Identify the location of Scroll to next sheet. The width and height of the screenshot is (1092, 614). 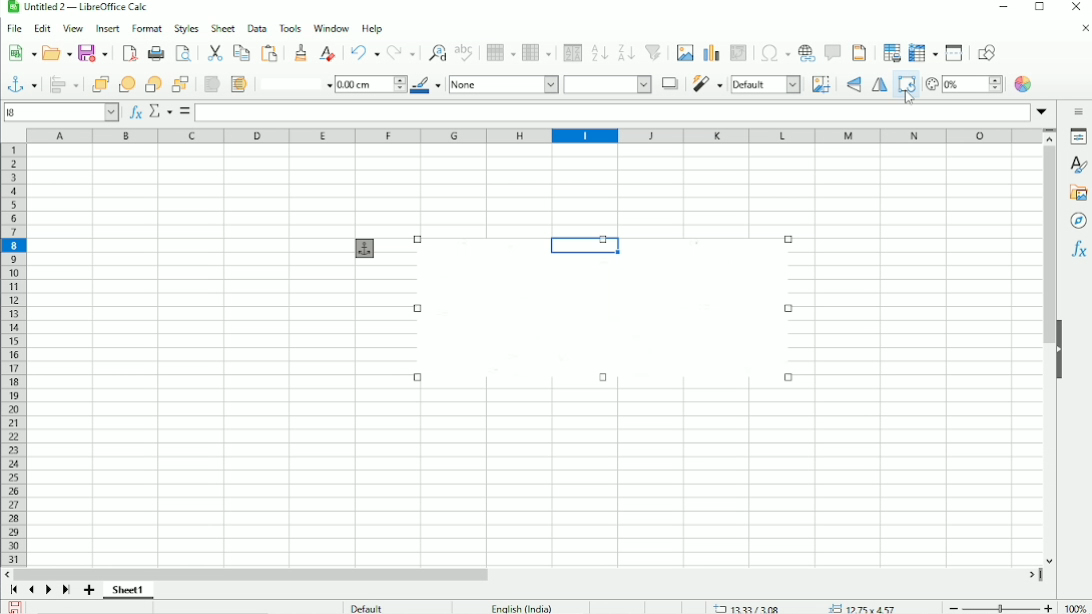
(47, 591).